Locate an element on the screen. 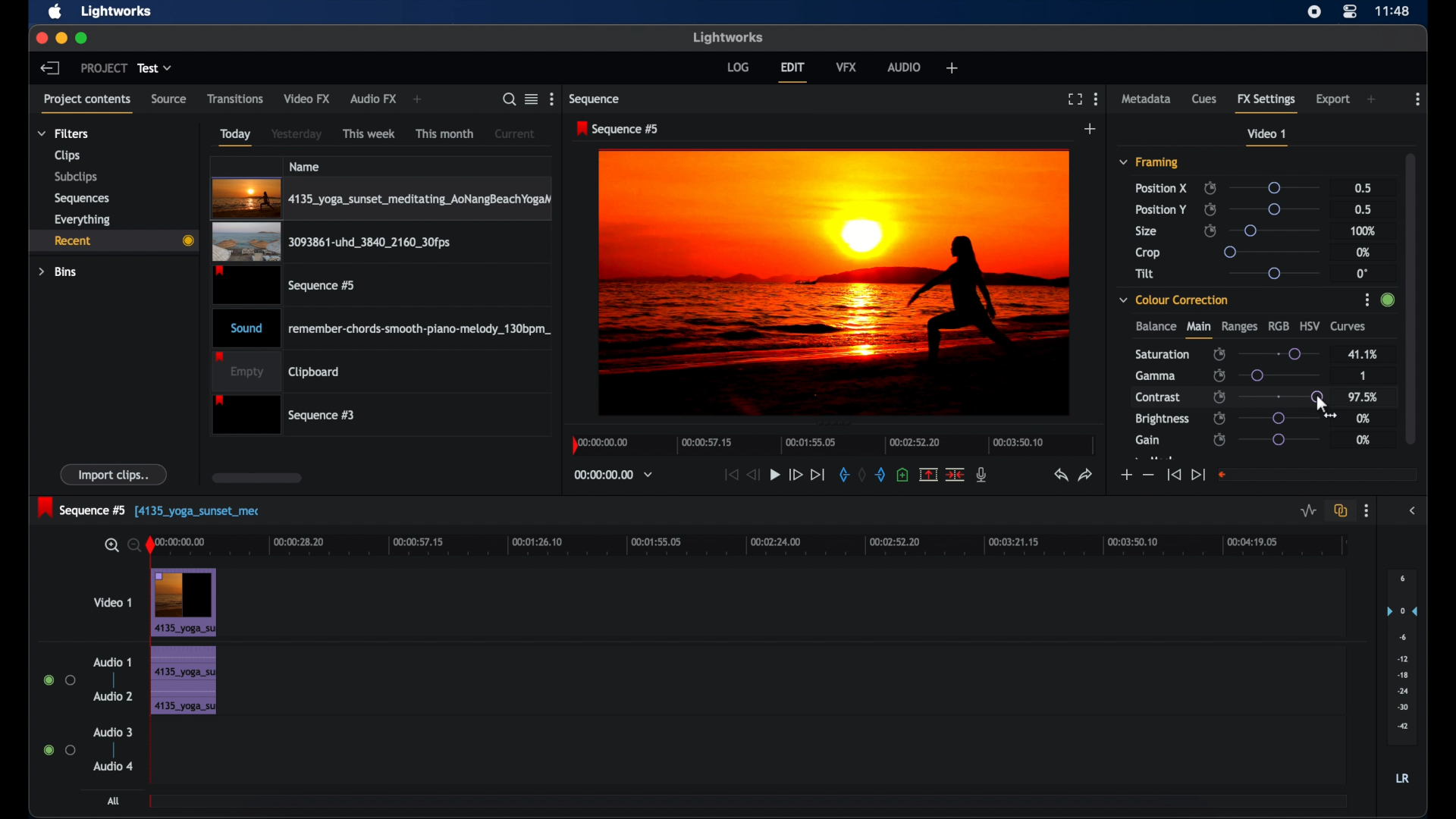 The image size is (1456, 819). bins is located at coordinates (58, 271).